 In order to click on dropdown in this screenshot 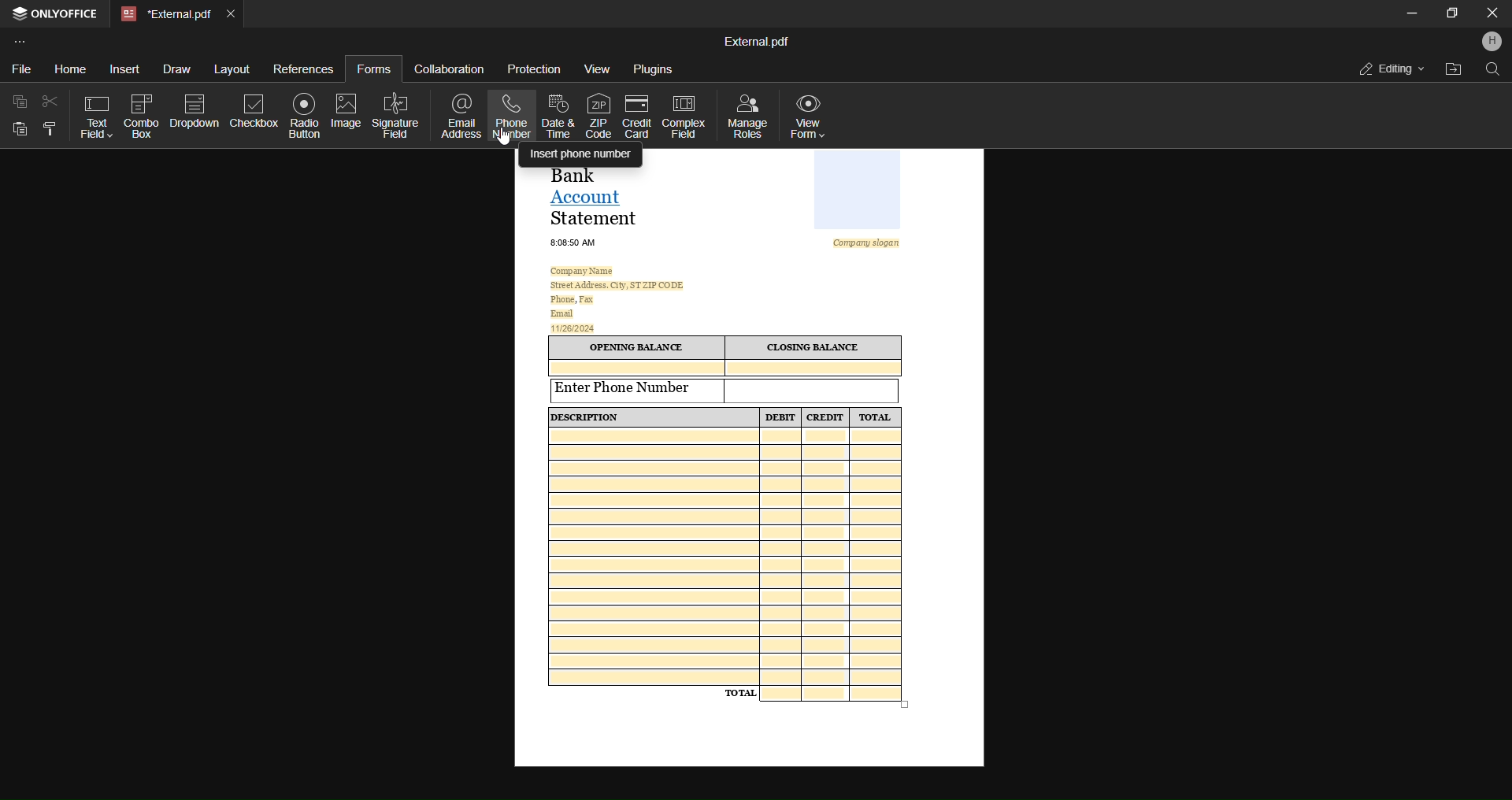, I will do `click(193, 109)`.